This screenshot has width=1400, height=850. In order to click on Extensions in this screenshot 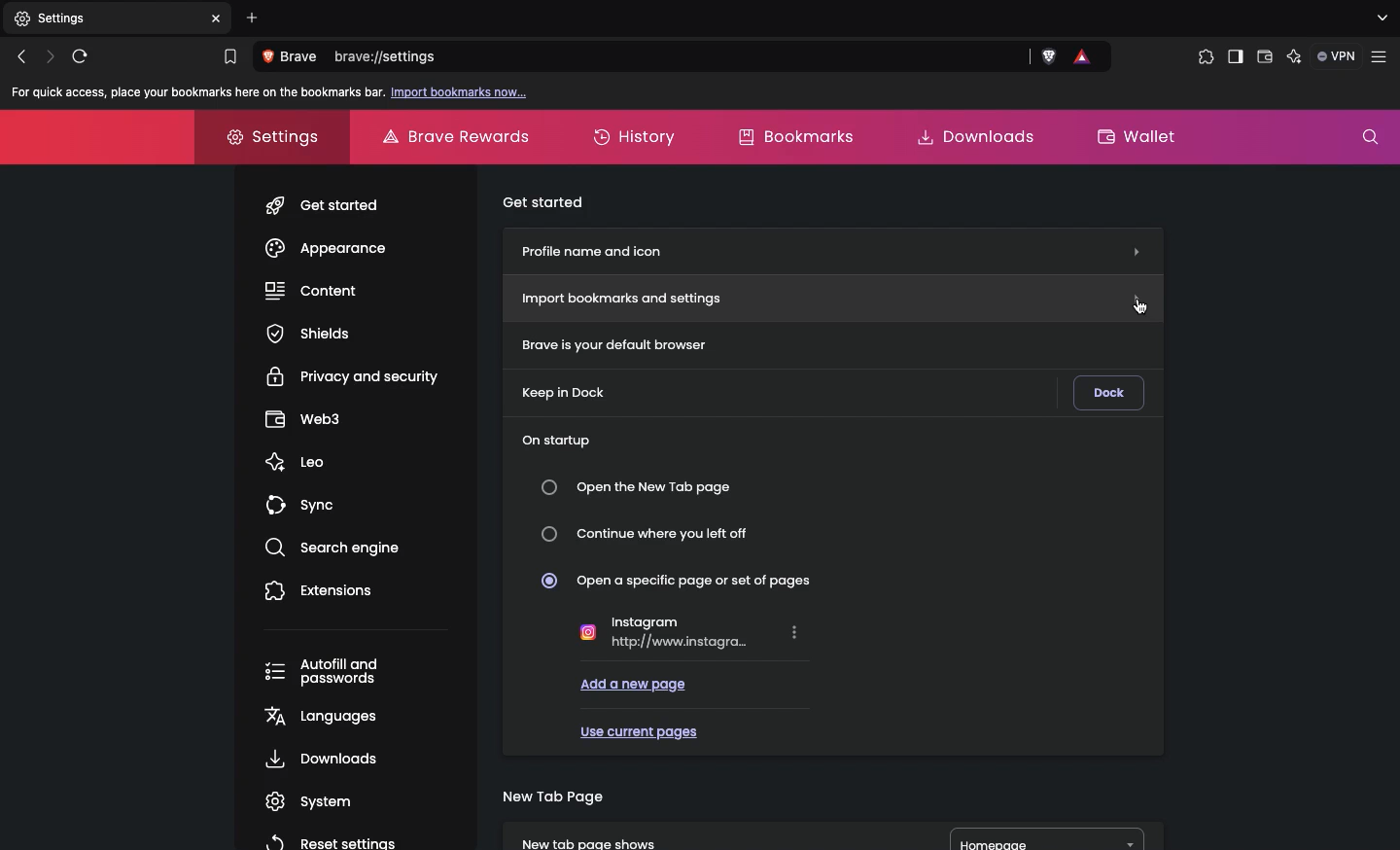, I will do `click(320, 589)`.